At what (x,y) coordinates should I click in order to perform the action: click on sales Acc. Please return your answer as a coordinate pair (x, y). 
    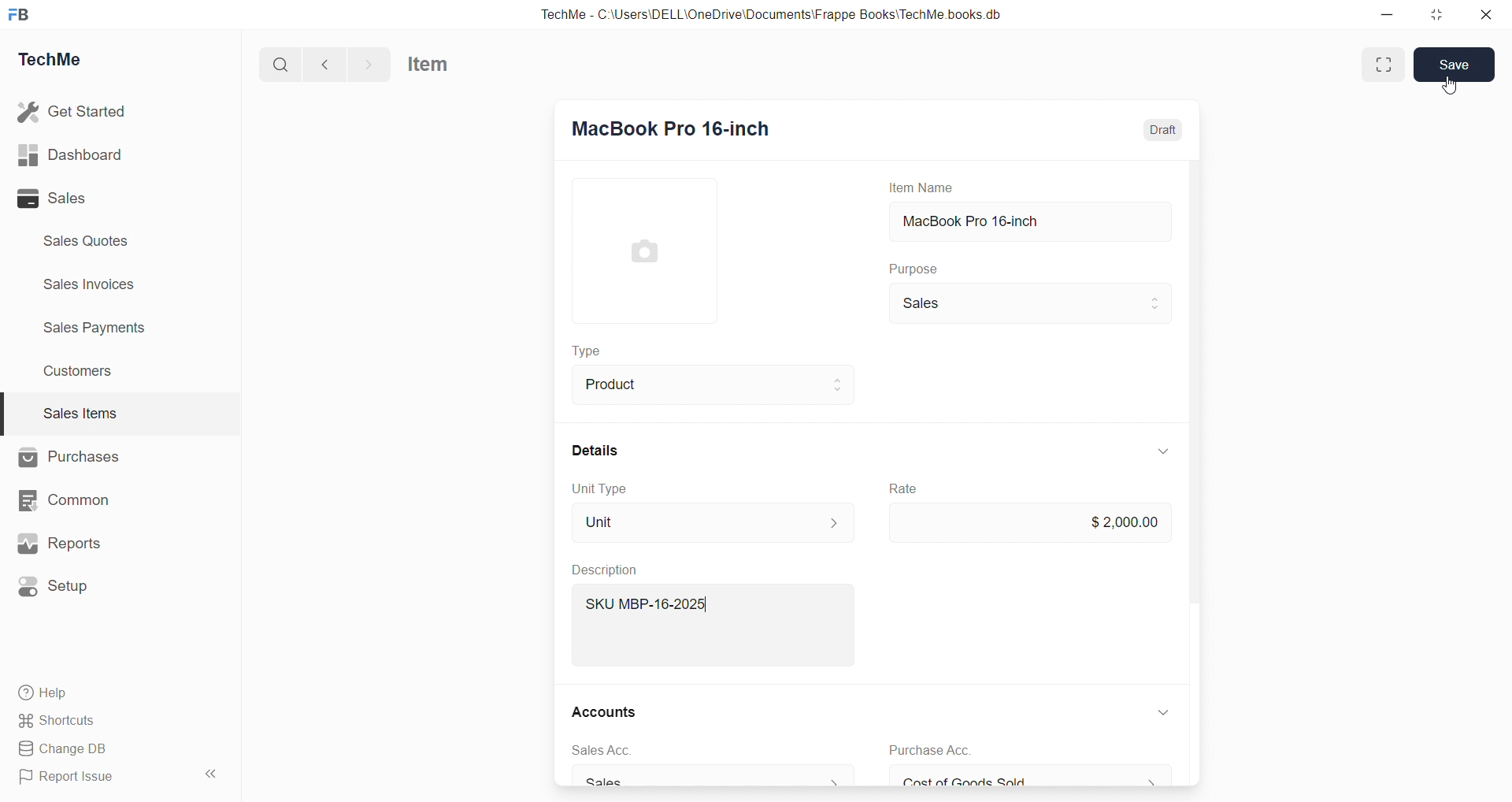
    Looking at the image, I should click on (600, 751).